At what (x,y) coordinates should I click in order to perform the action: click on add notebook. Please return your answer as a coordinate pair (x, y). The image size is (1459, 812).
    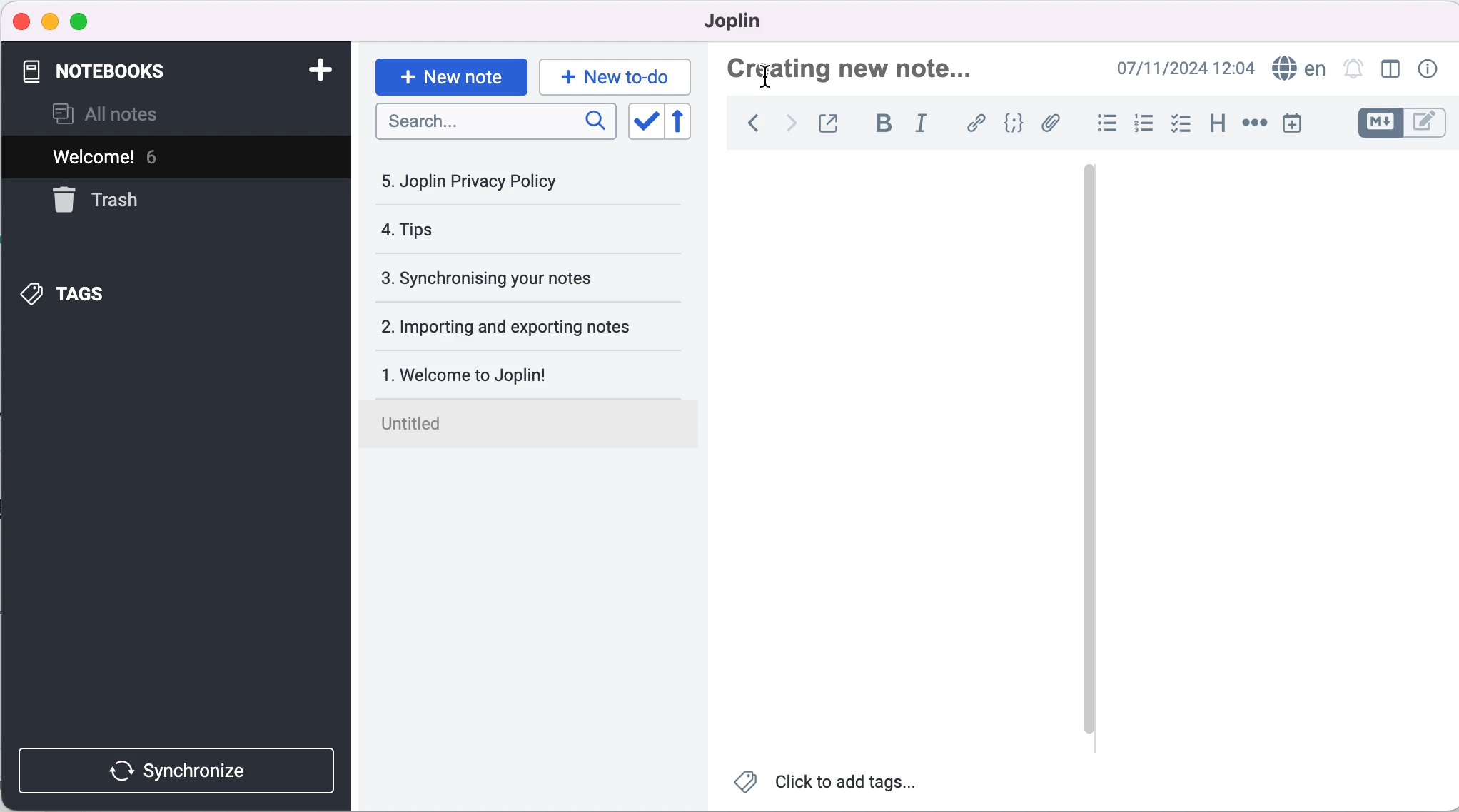
    Looking at the image, I should click on (324, 70).